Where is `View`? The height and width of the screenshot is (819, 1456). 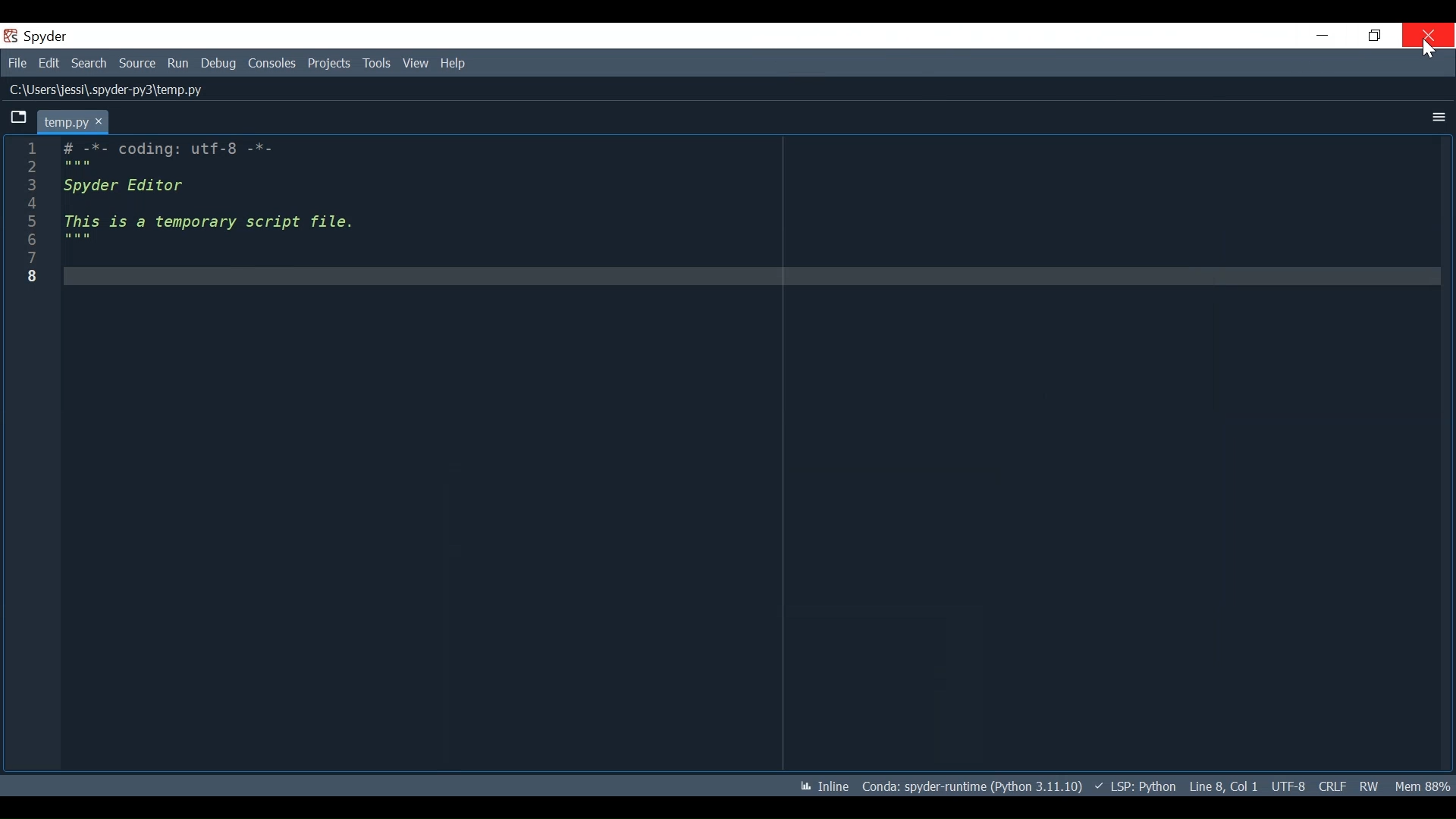 View is located at coordinates (416, 64).